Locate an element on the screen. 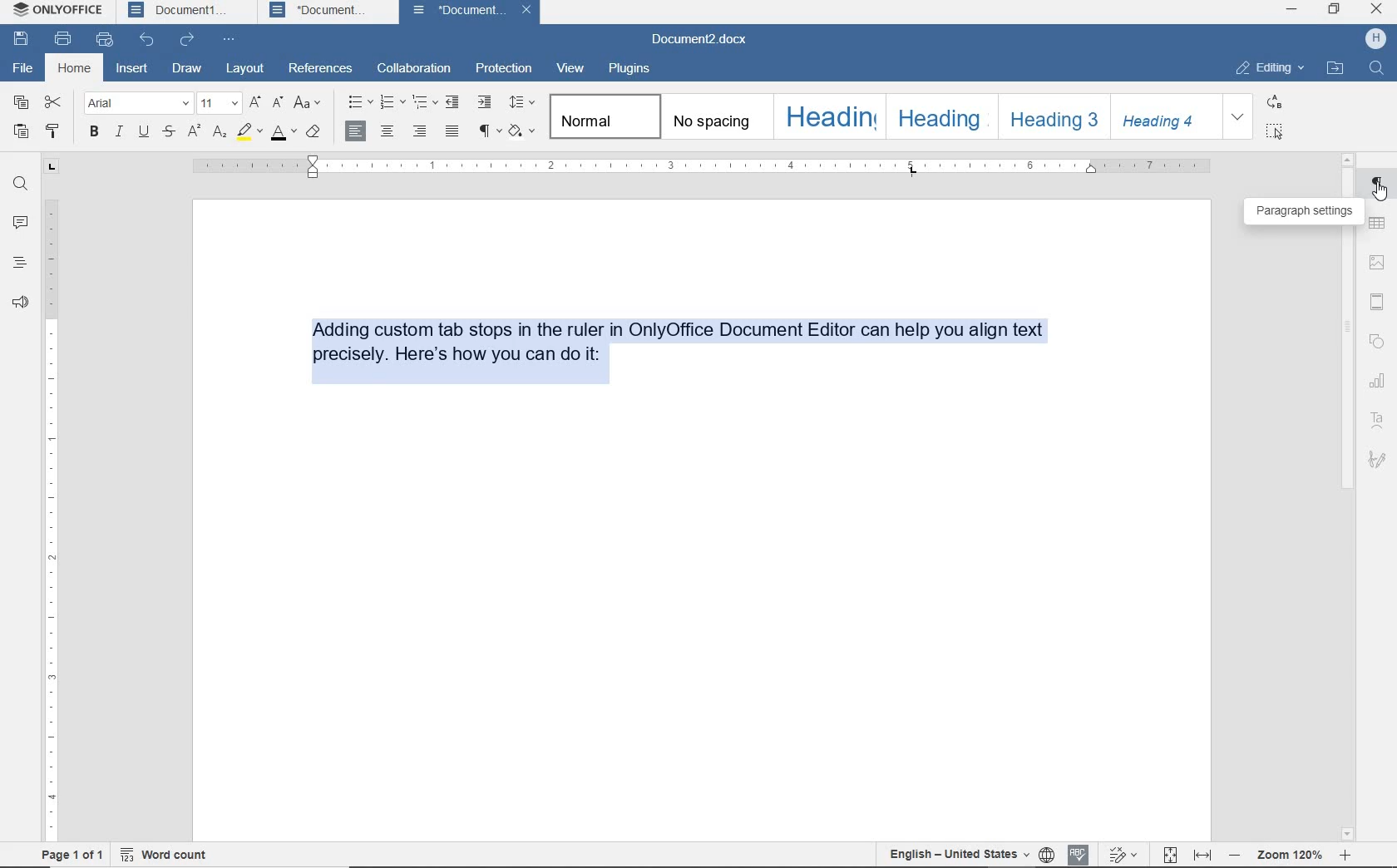  heading 2 is located at coordinates (940, 117).